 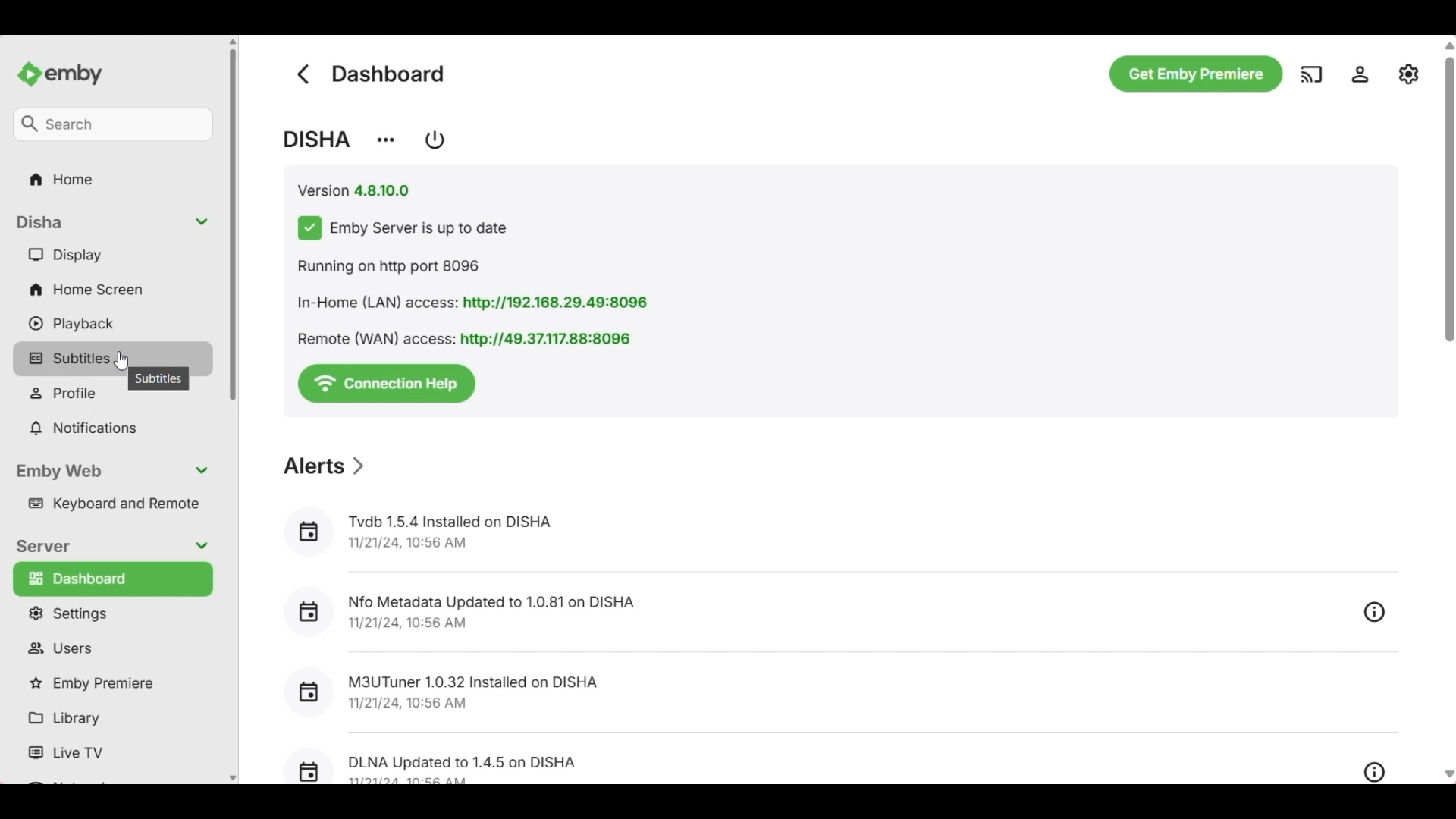 What do you see at coordinates (325, 466) in the screenshot?
I see `Section title` at bounding box center [325, 466].